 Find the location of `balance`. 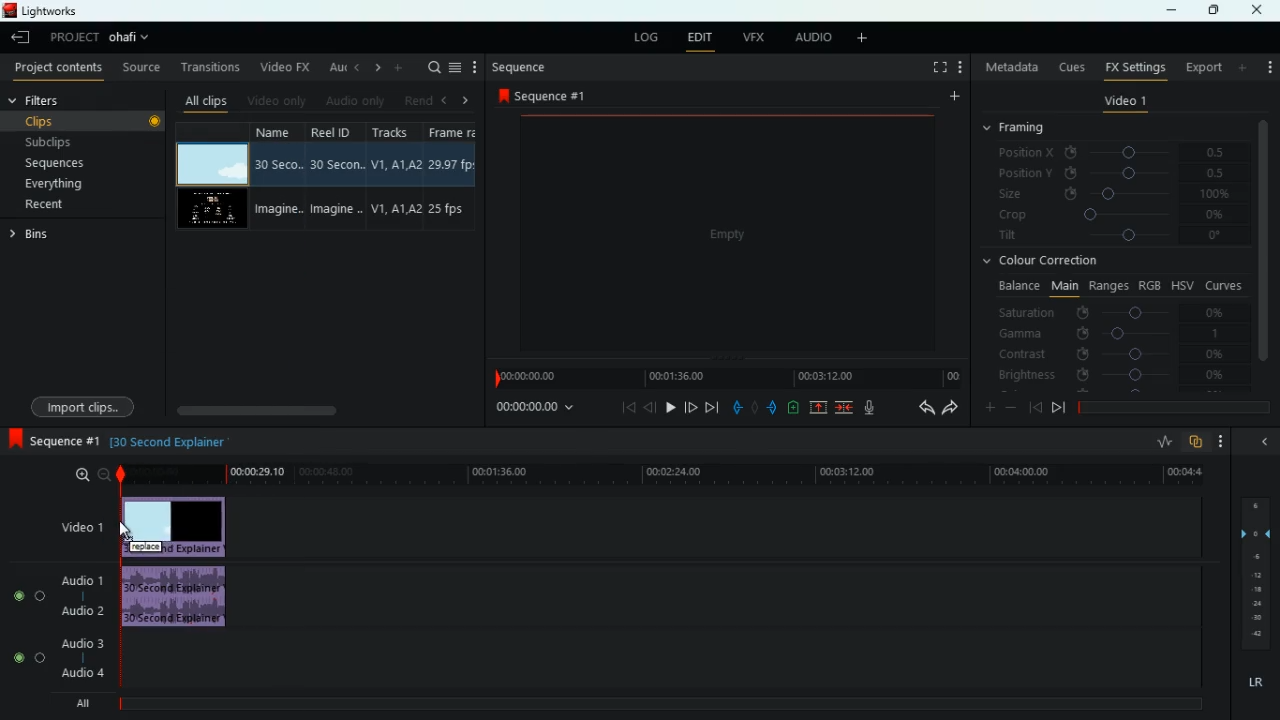

balance is located at coordinates (1016, 286).